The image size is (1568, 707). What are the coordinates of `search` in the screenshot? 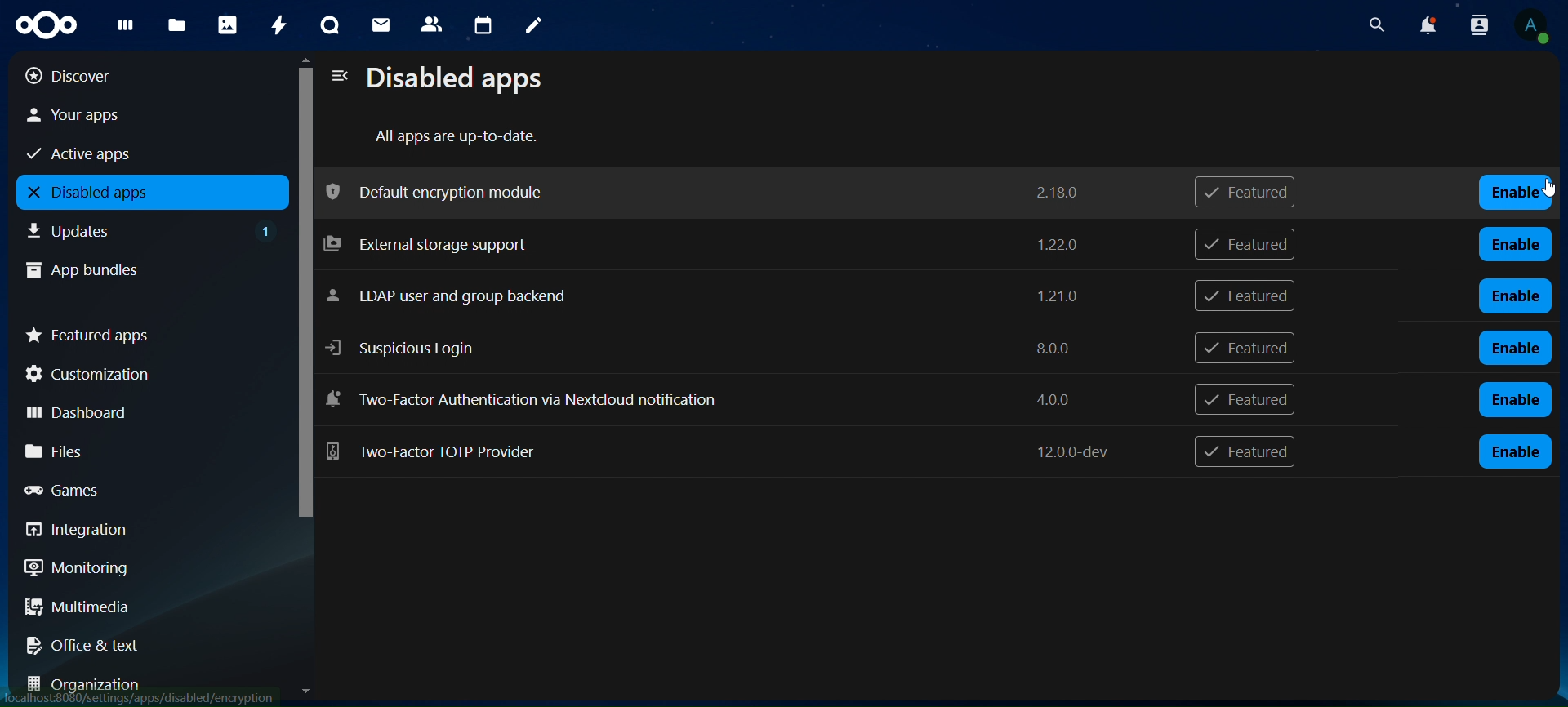 It's located at (1377, 25).